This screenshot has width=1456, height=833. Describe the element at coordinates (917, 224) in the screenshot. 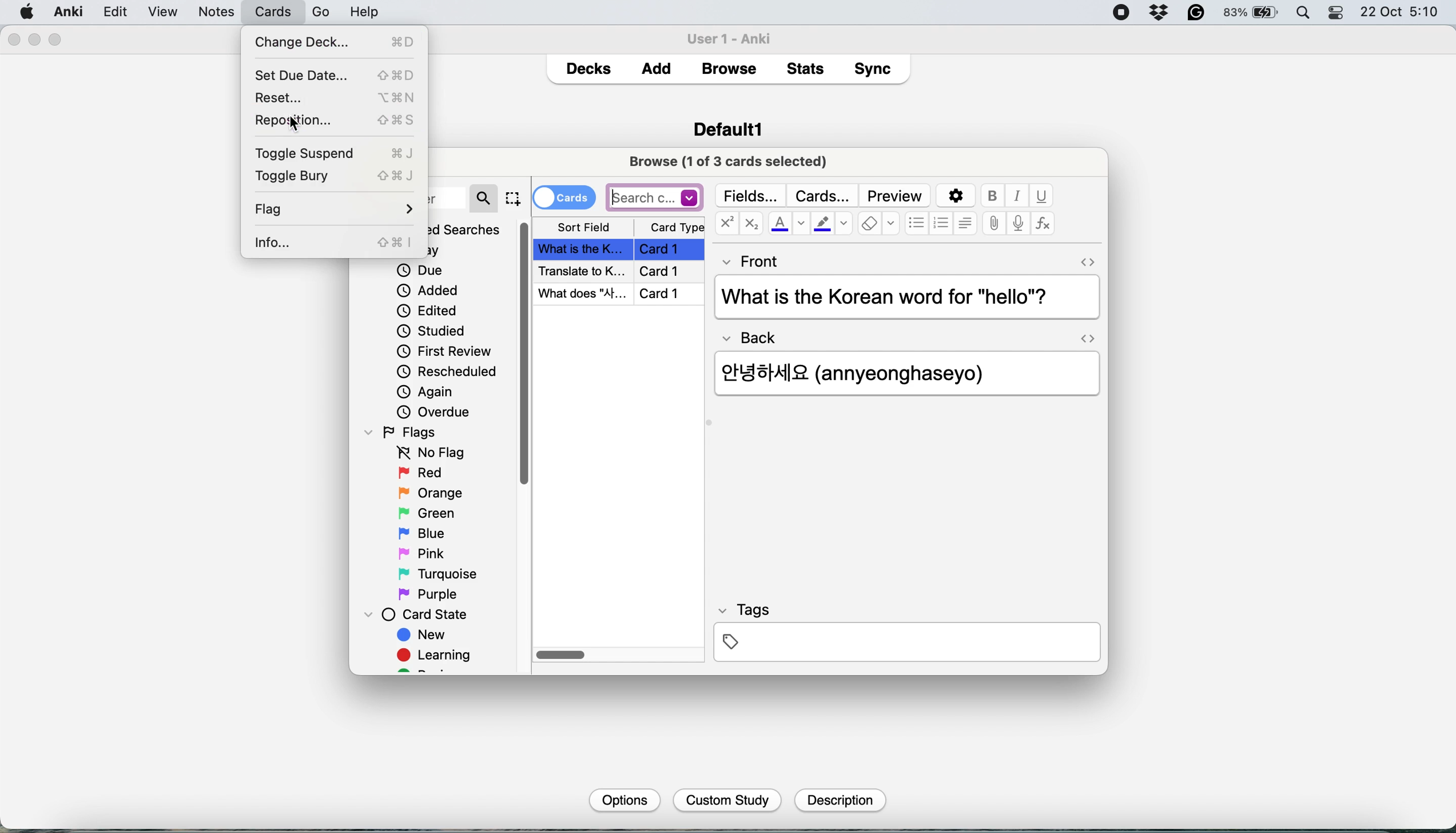

I see `bullet list` at that location.